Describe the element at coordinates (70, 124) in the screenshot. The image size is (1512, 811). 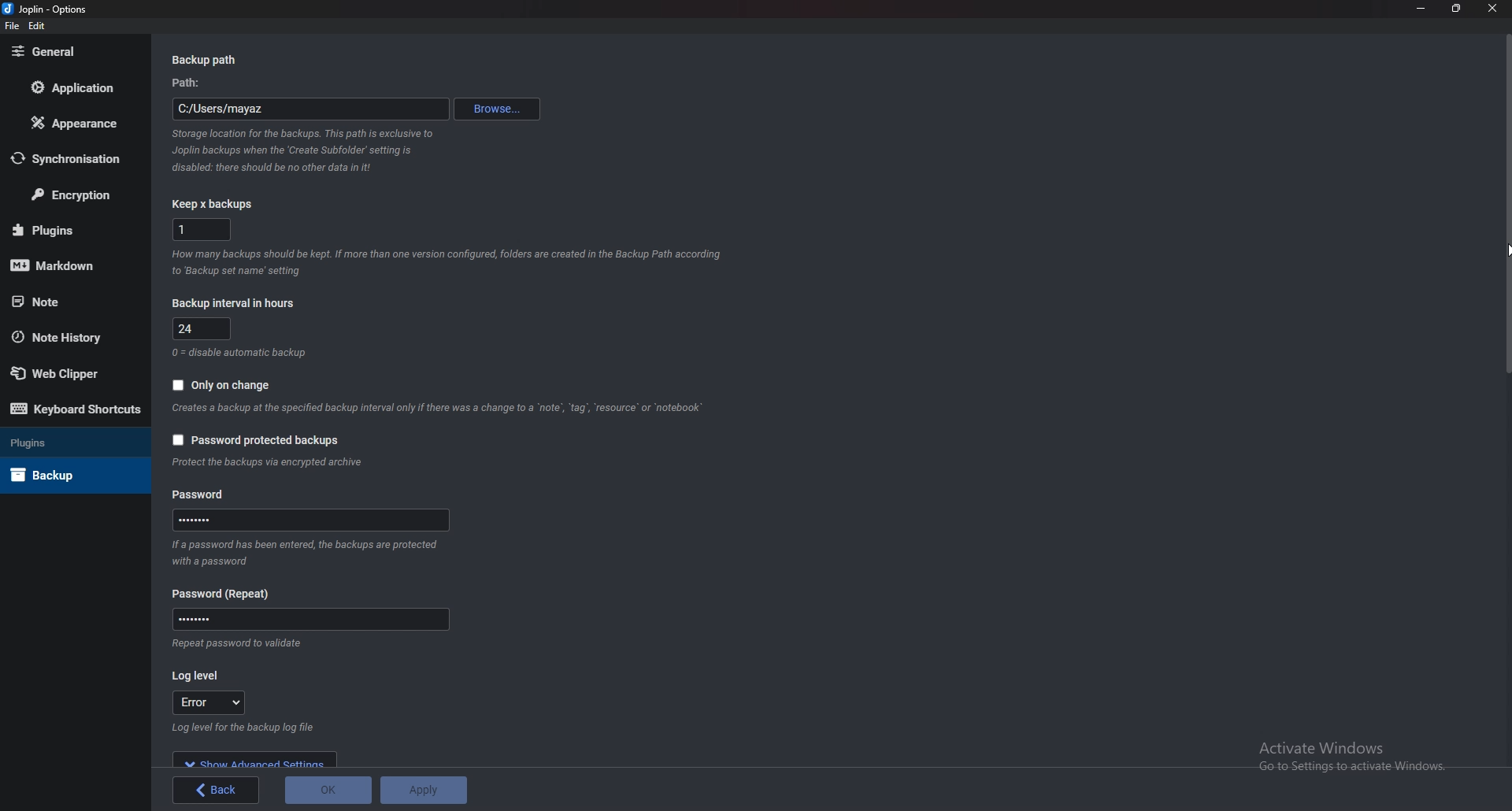
I see `Appearance` at that location.